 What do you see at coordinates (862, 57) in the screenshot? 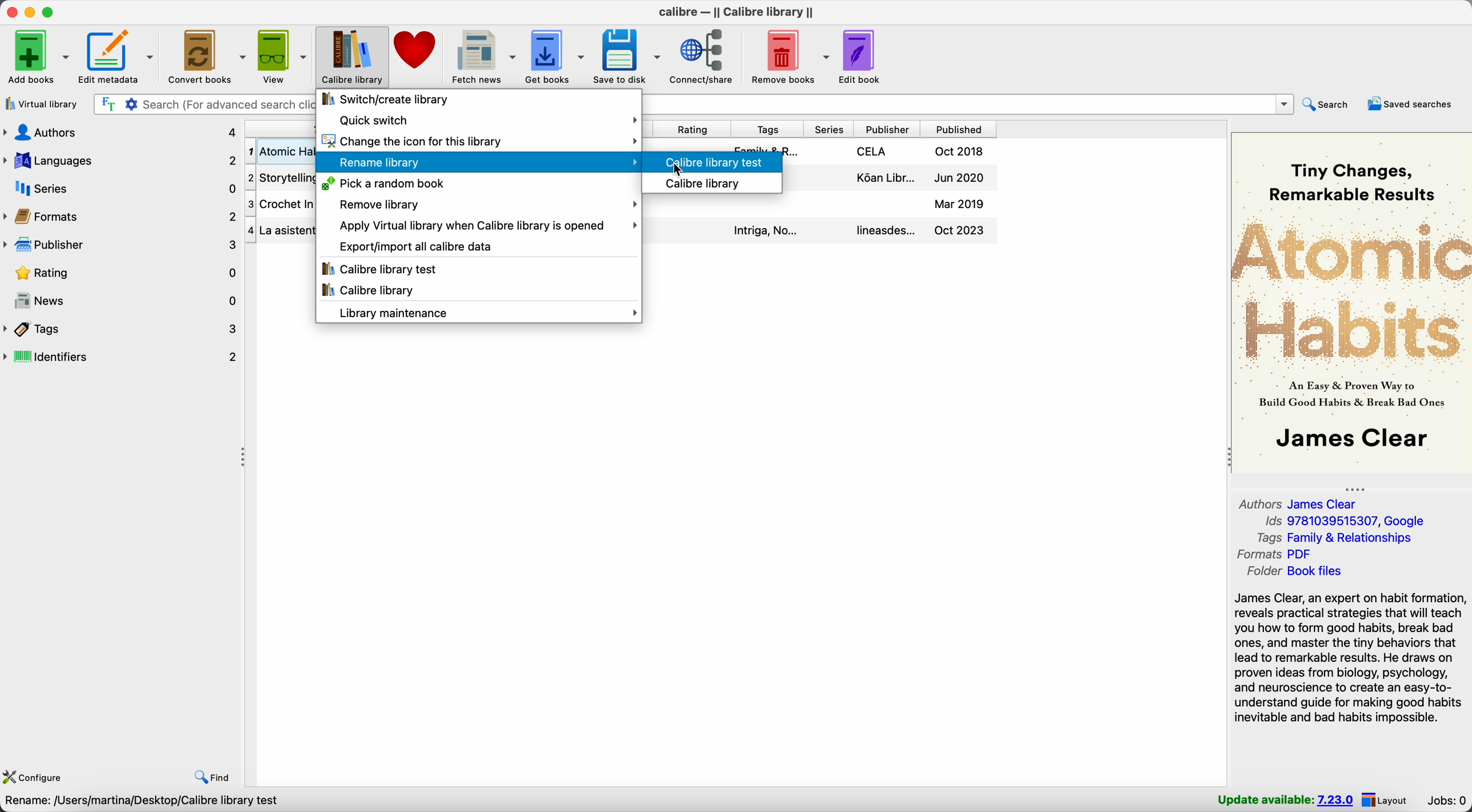
I see `edit book` at bounding box center [862, 57].